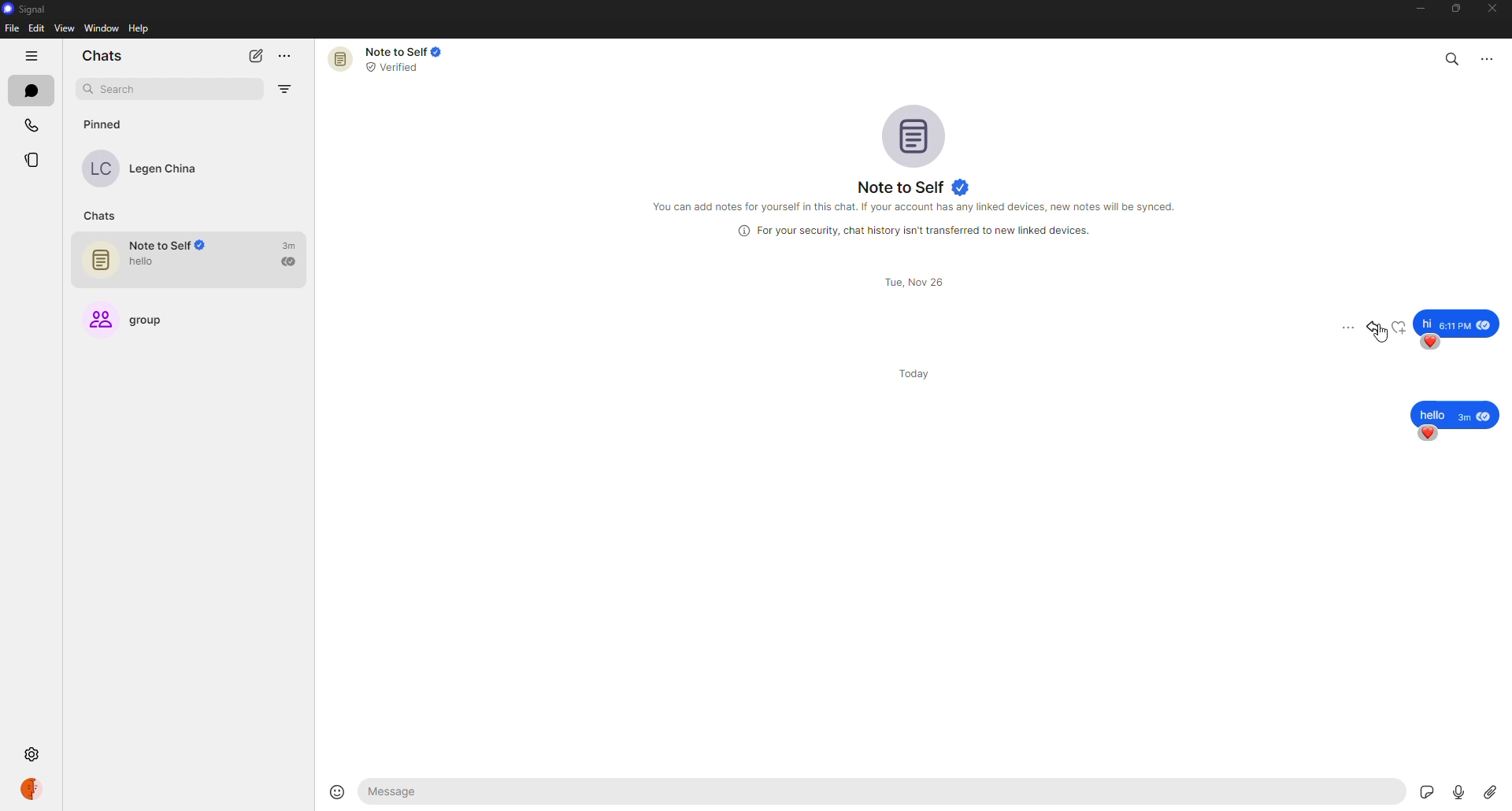 This screenshot has width=1512, height=811. Describe the element at coordinates (256, 55) in the screenshot. I see `new chat` at that location.